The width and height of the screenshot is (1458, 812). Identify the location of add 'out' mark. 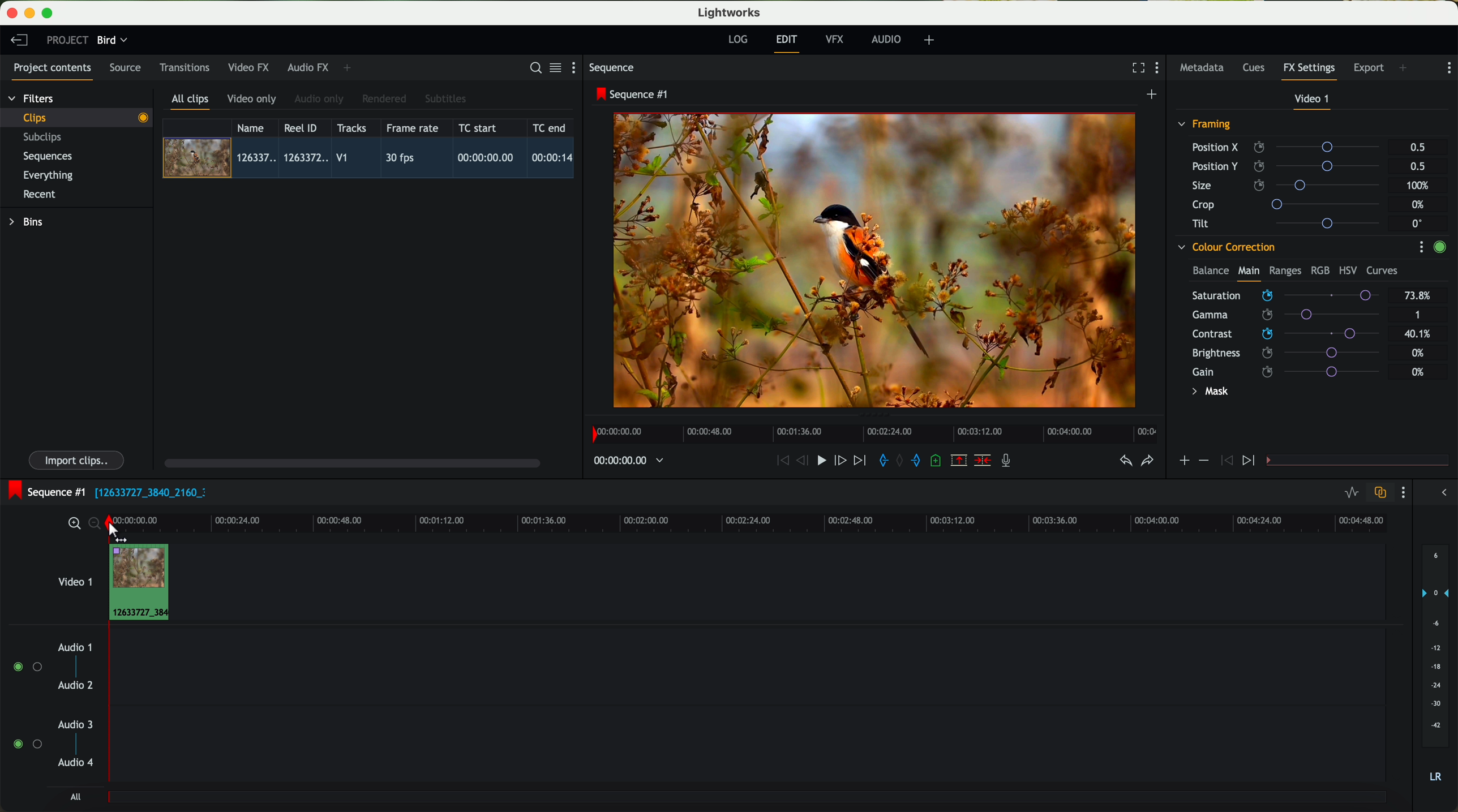
(921, 459).